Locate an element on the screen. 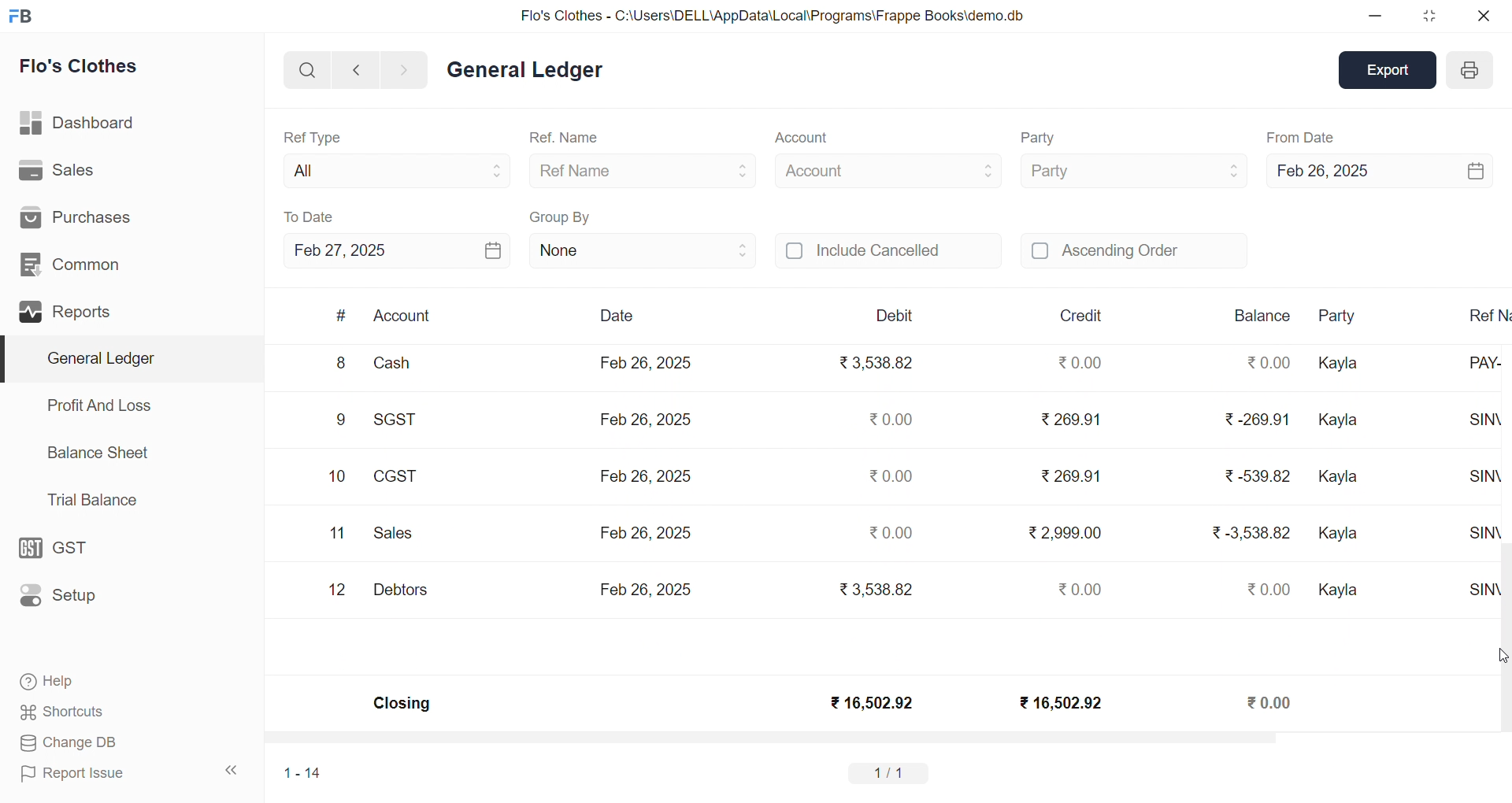  Flo's Clothes - C:\Users\DELL\AppData\Local\Programs\Frappe Books\demo.db is located at coordinates (771, 14).